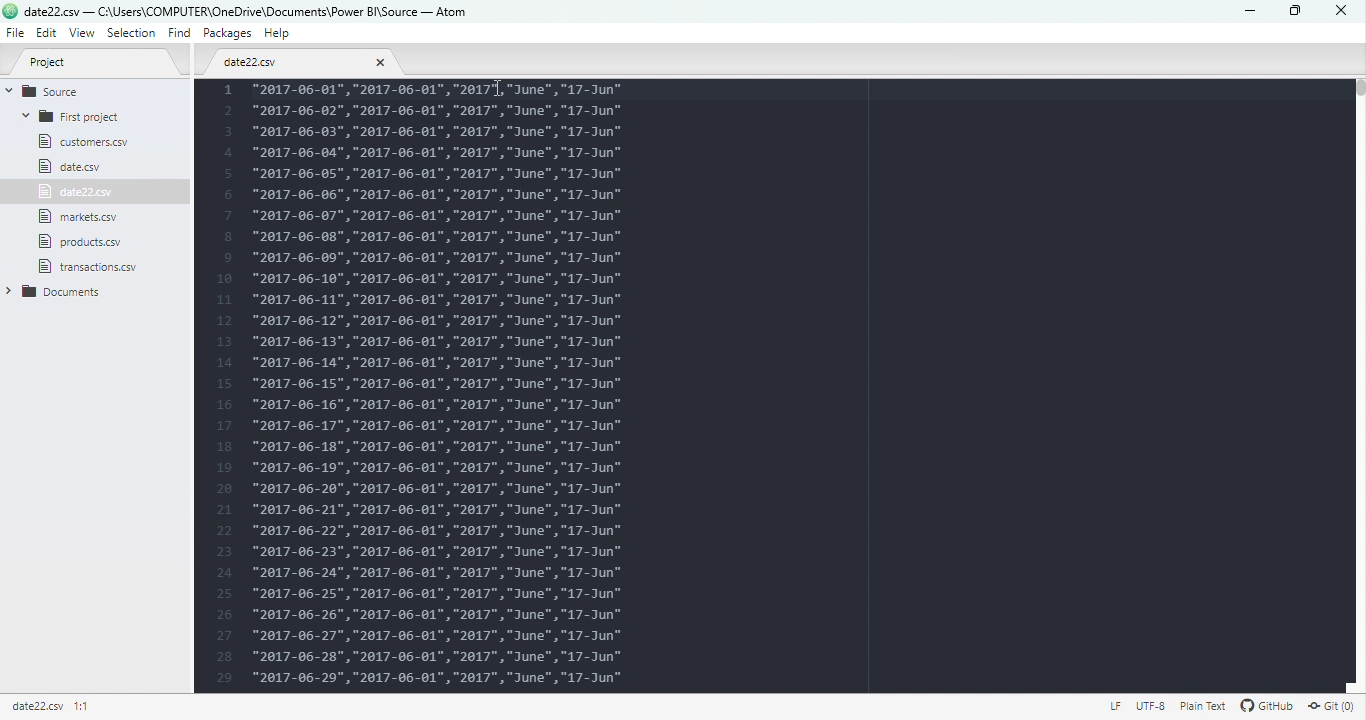  Describe the element at coordinates (82, 141) in the screenshot. I see `File` at that location.